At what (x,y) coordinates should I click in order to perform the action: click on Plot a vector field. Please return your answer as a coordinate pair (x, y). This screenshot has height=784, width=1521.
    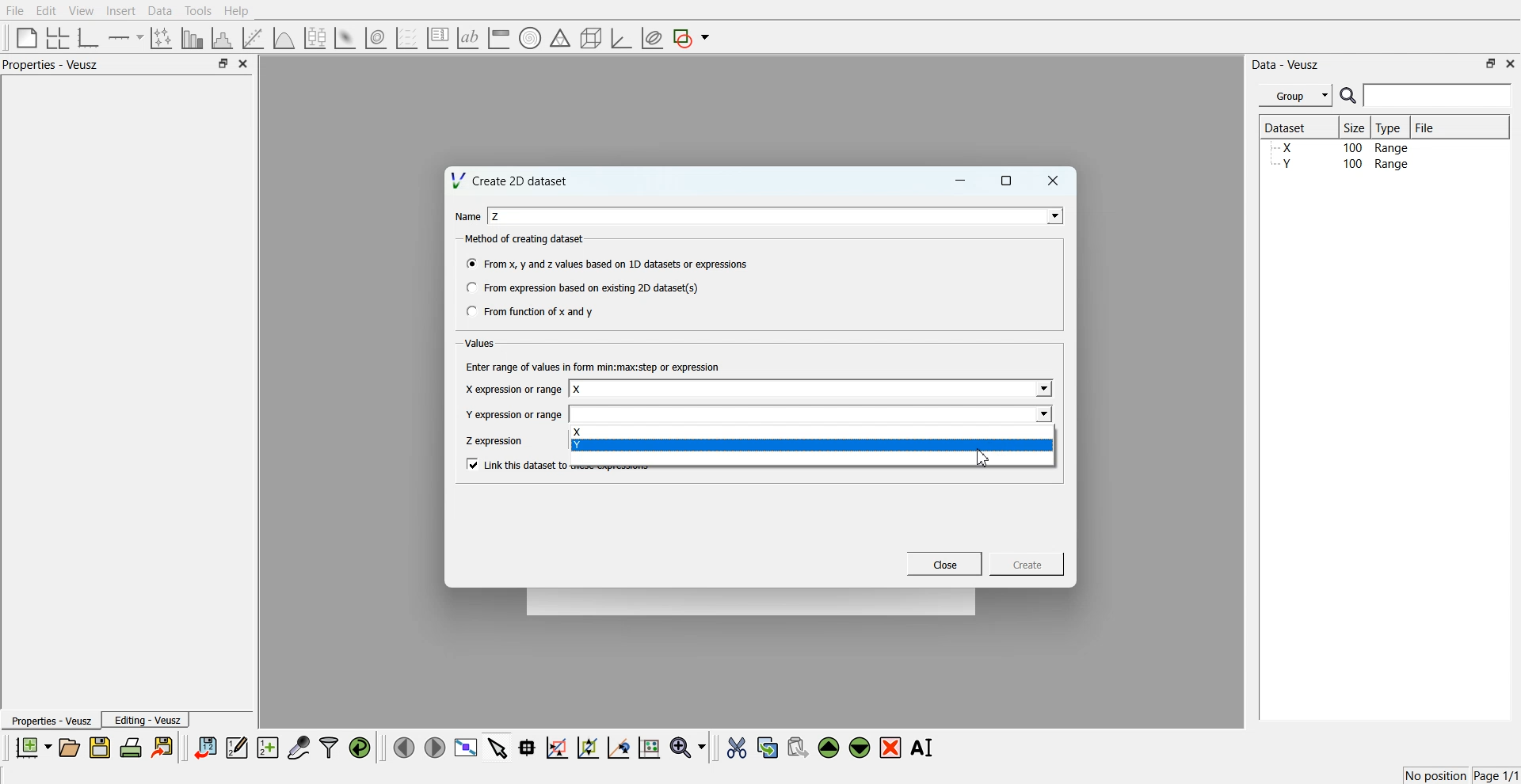
    Looking at the image, I should click on (406, 39).